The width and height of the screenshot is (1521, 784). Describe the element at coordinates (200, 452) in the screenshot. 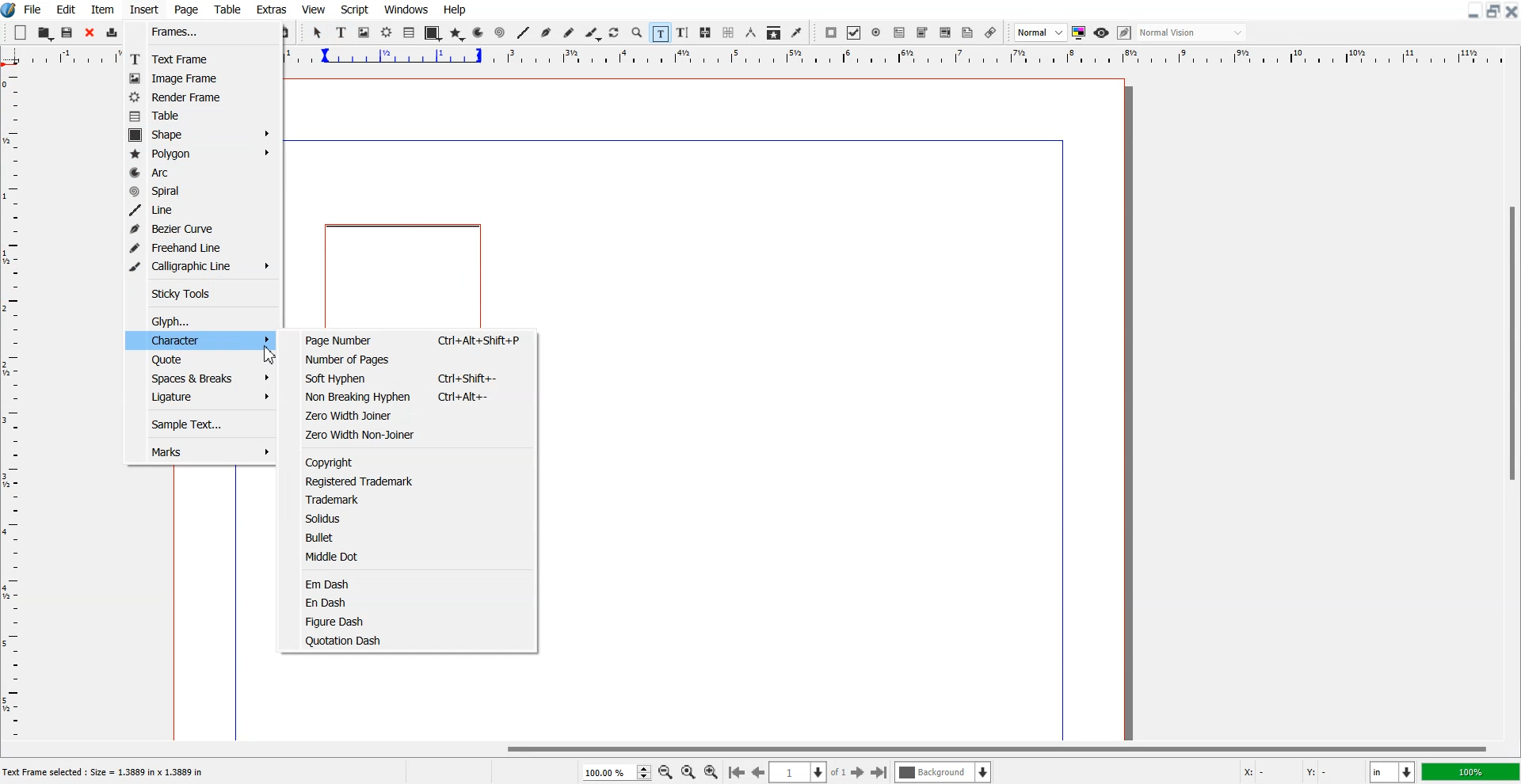

I see `Marks` at that location.